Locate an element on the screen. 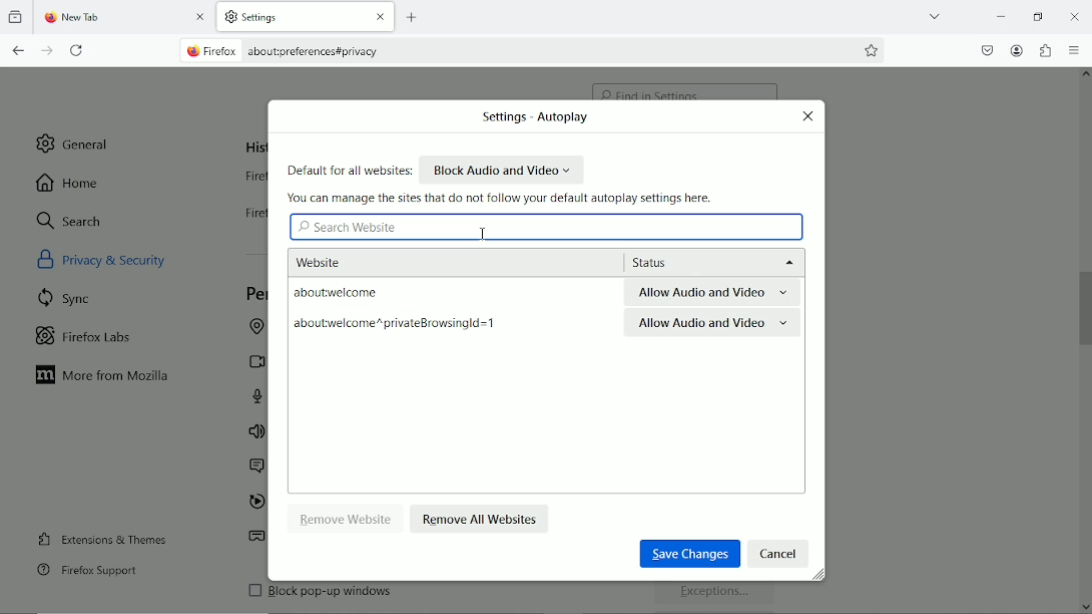 Image resolution: width=1092 pixels, height=614 pixels. camera is located at coordinates (253, 361).